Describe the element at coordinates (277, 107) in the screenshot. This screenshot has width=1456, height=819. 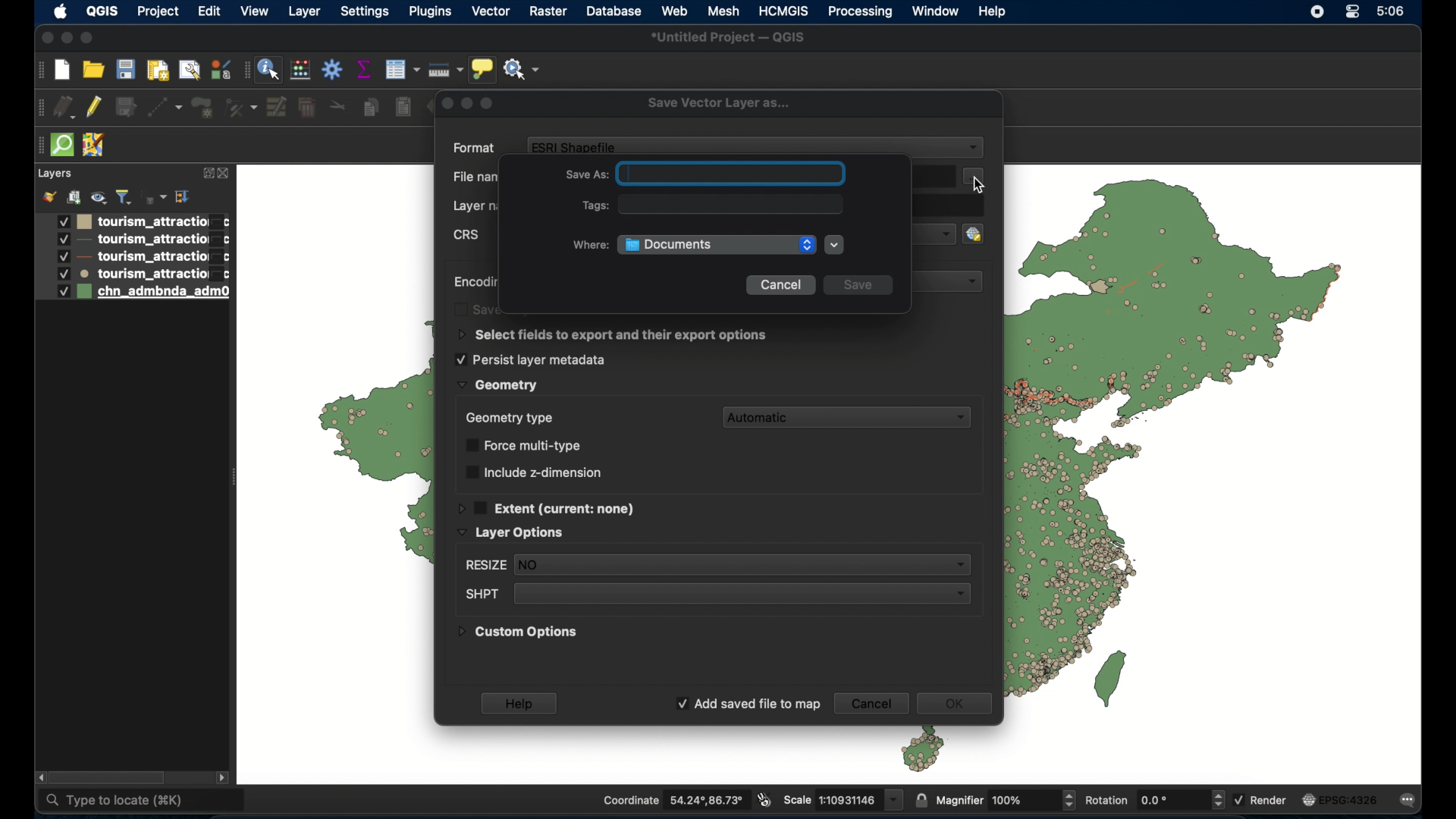
I see `modify attributes` at that location.